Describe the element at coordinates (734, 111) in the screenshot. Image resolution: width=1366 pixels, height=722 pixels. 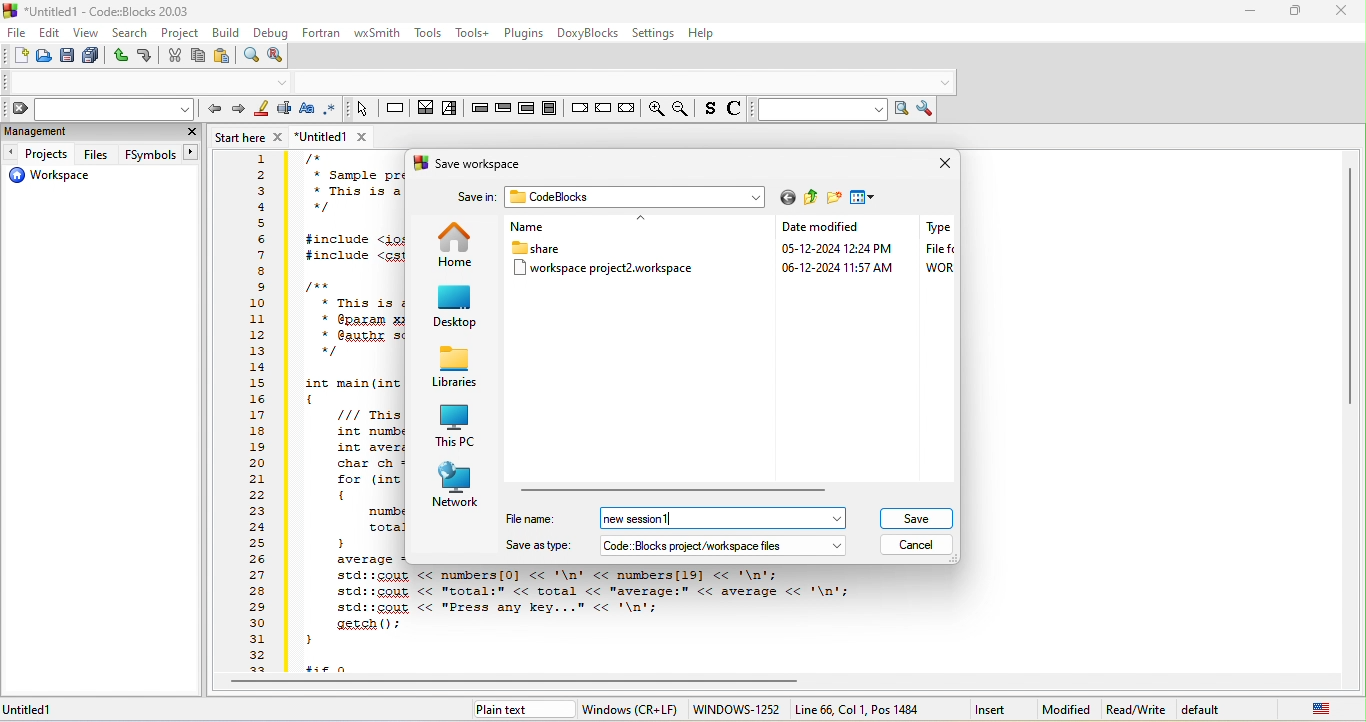
I see `toggle source` at that location.